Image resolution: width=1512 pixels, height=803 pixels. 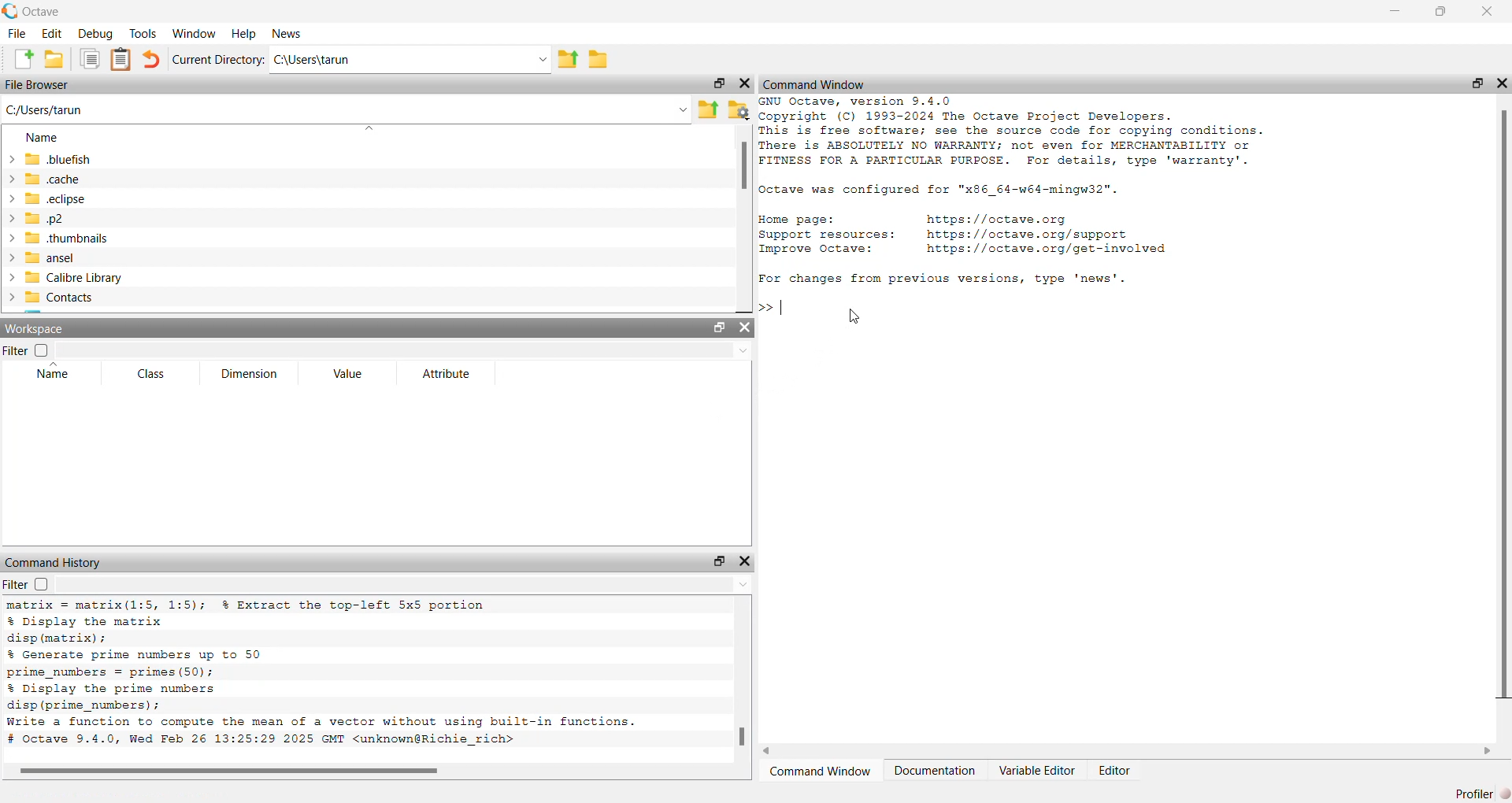 What do you see at coordinates (89, 59) in the screenshot?
I see `copy` at bounding box center [89, 59].